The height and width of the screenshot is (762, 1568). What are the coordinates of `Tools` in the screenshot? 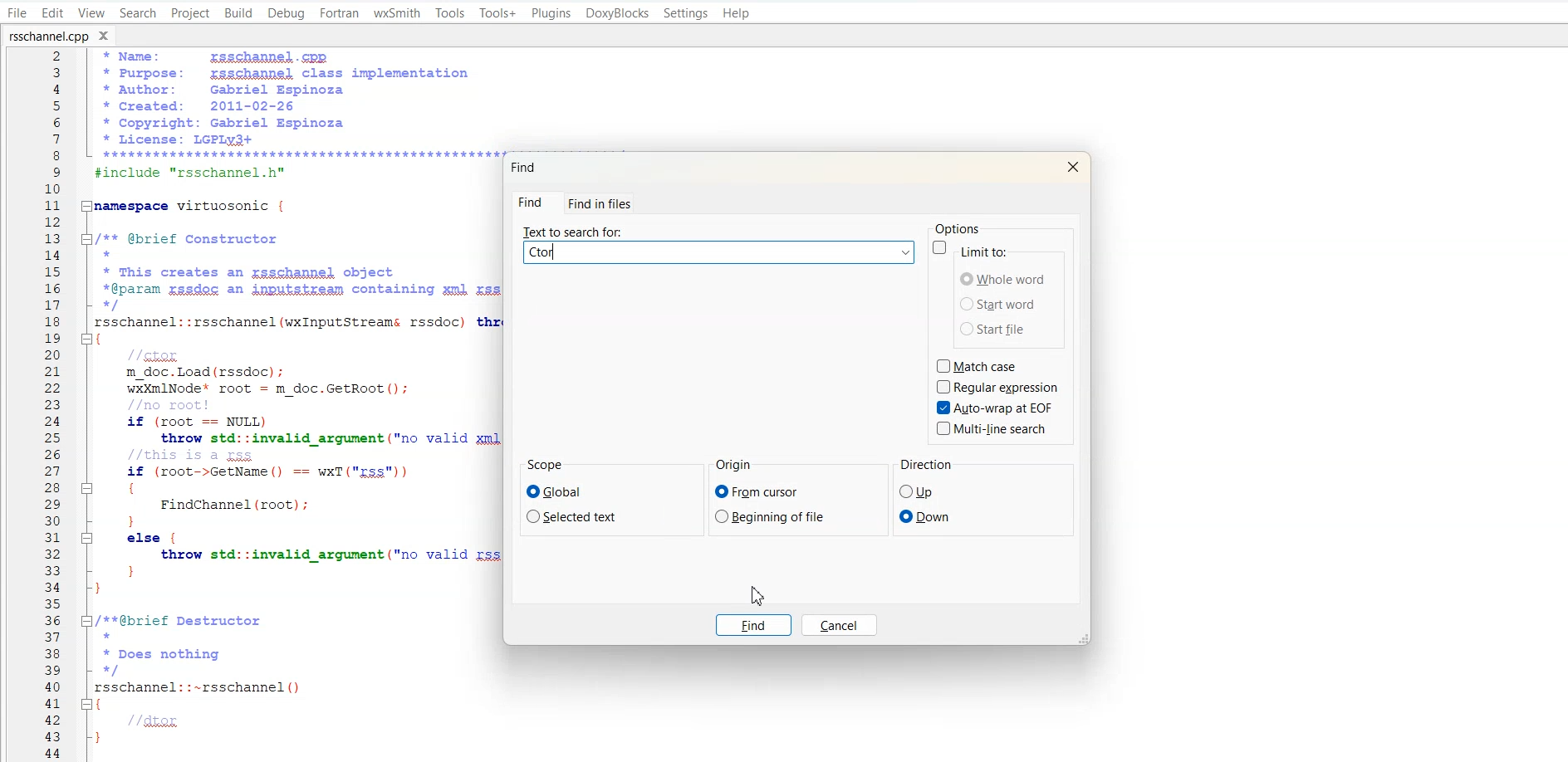 It's located at (451, 13).